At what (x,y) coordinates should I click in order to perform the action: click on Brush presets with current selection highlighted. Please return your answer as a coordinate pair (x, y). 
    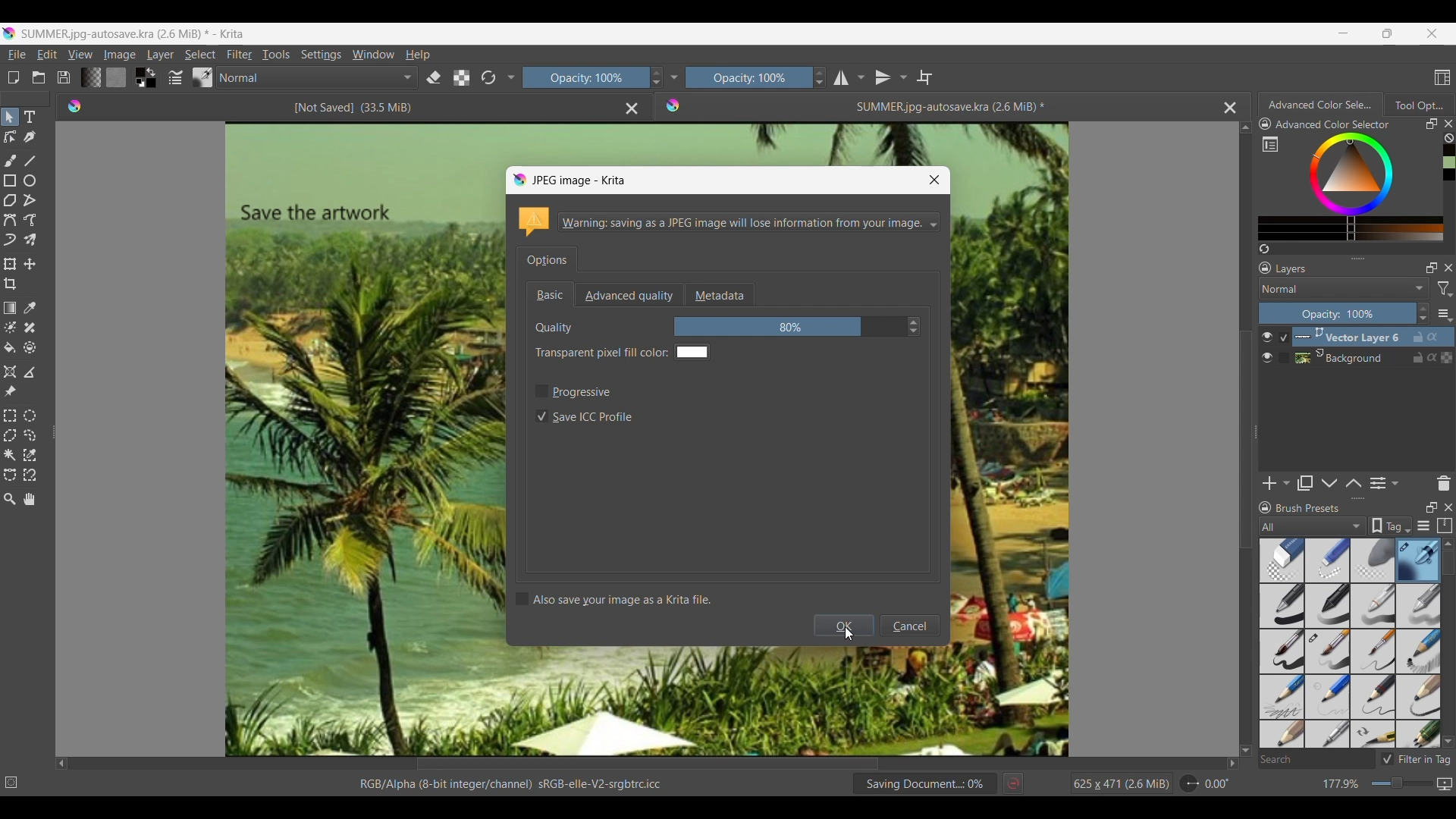
    Looking at the image, I should click on (1350, 644).